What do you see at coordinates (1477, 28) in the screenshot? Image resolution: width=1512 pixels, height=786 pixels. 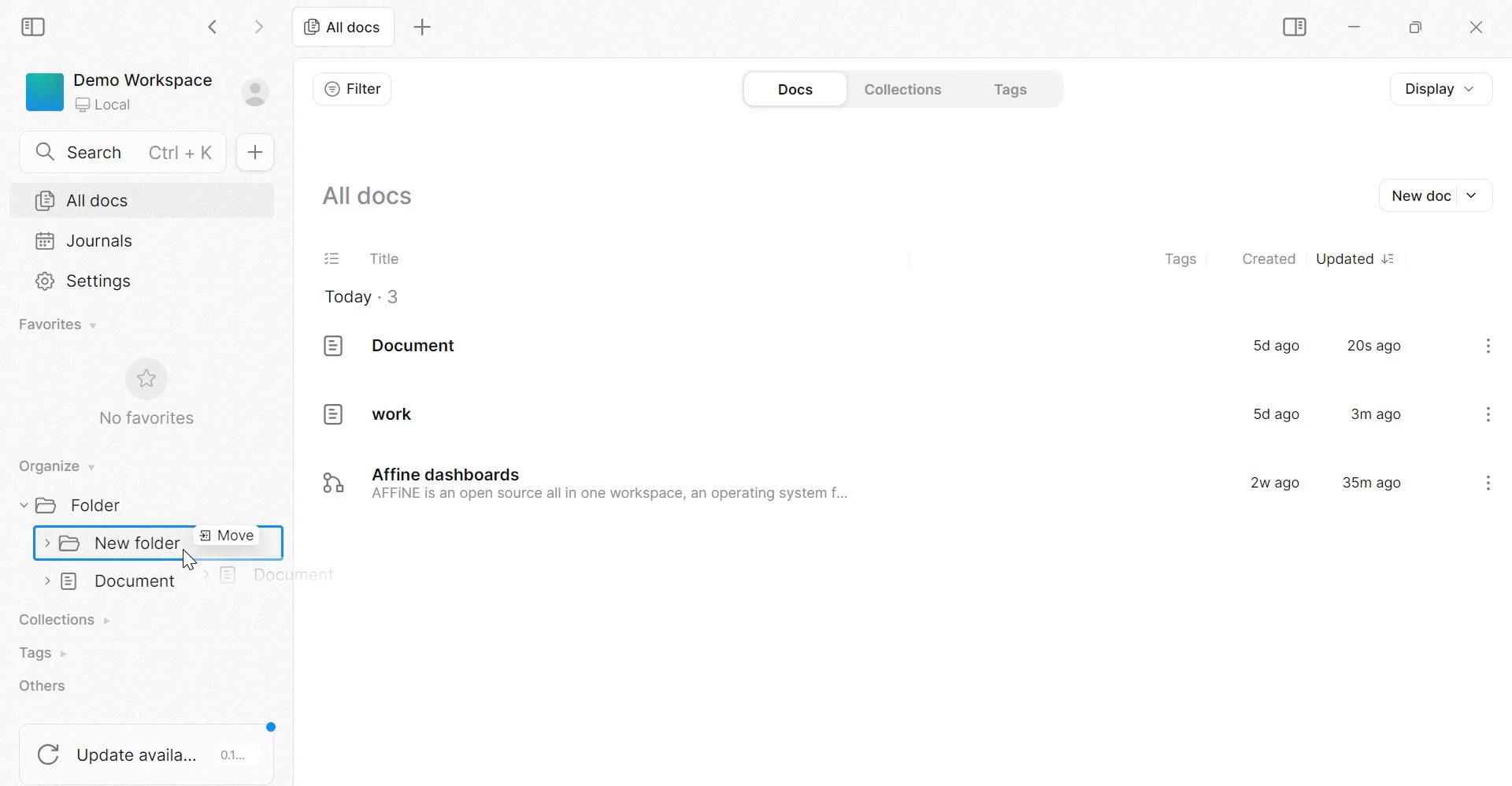 I see `close` at bounding box center [1477, 28].